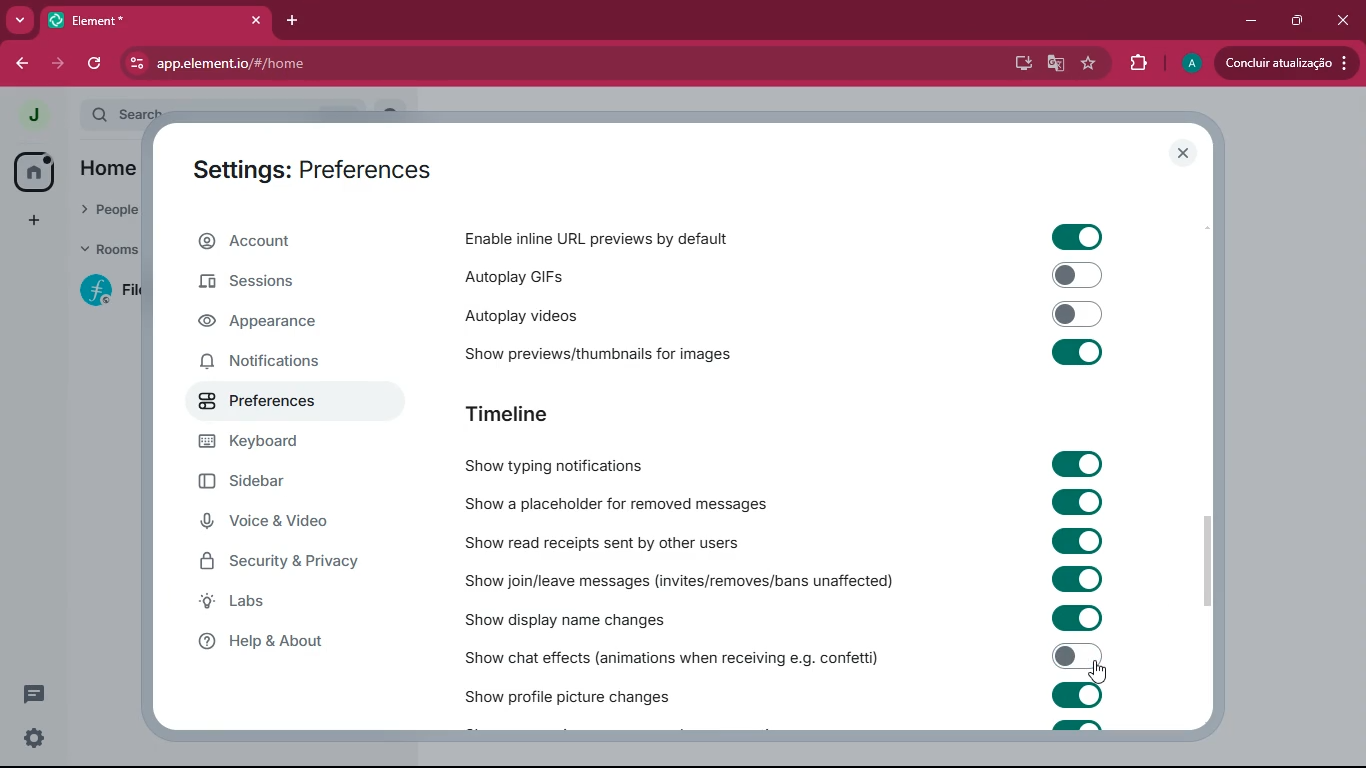 The width and height of the screenshot is (1366, 768). I want to click on quick settings, so click(34, 737).